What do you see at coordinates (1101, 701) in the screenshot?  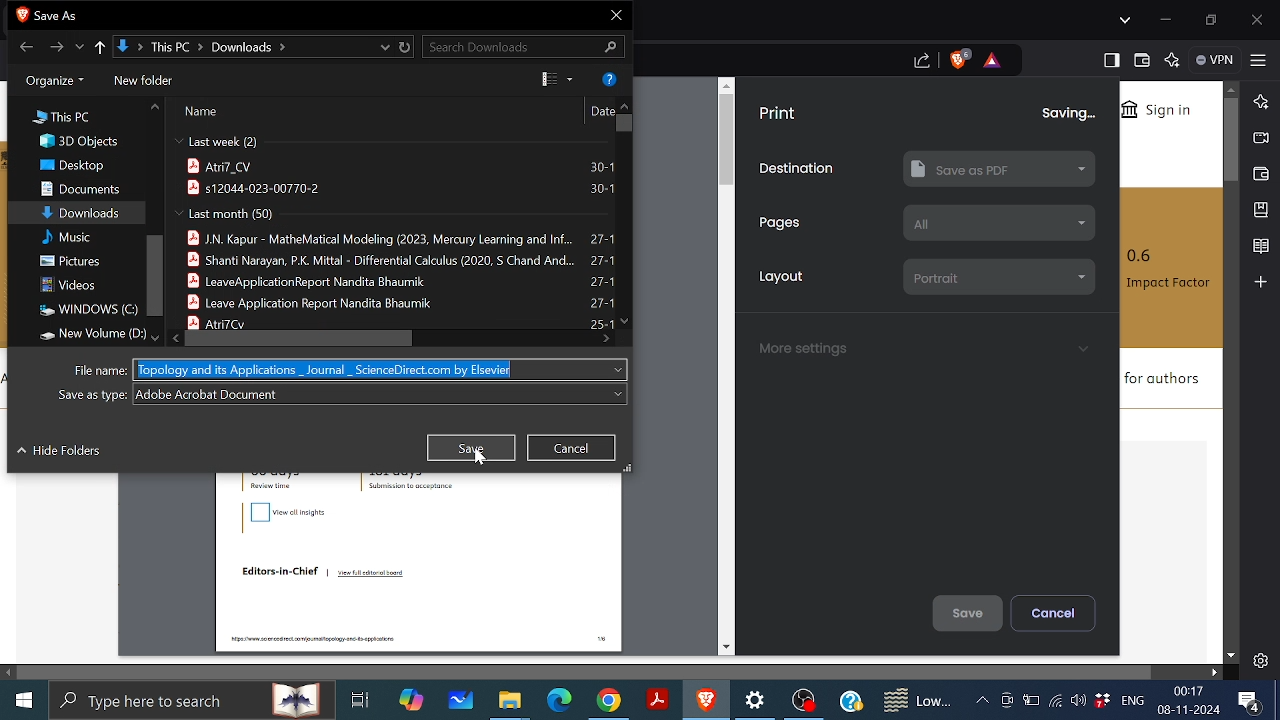 I see `Dropbox` at bounding box center [1101, 701].